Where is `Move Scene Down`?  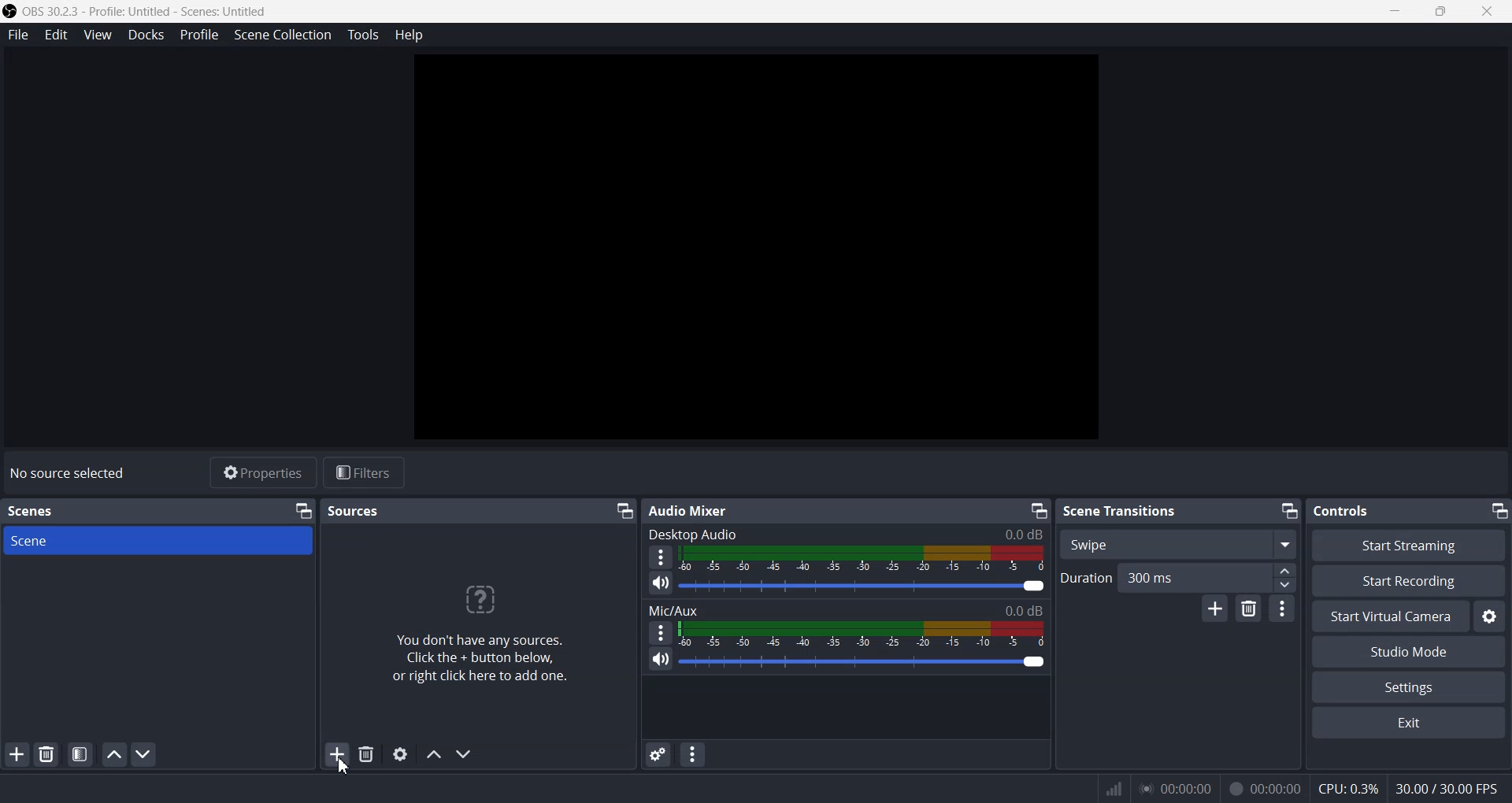 Move Scene Down is located at coordinates (143, 753).